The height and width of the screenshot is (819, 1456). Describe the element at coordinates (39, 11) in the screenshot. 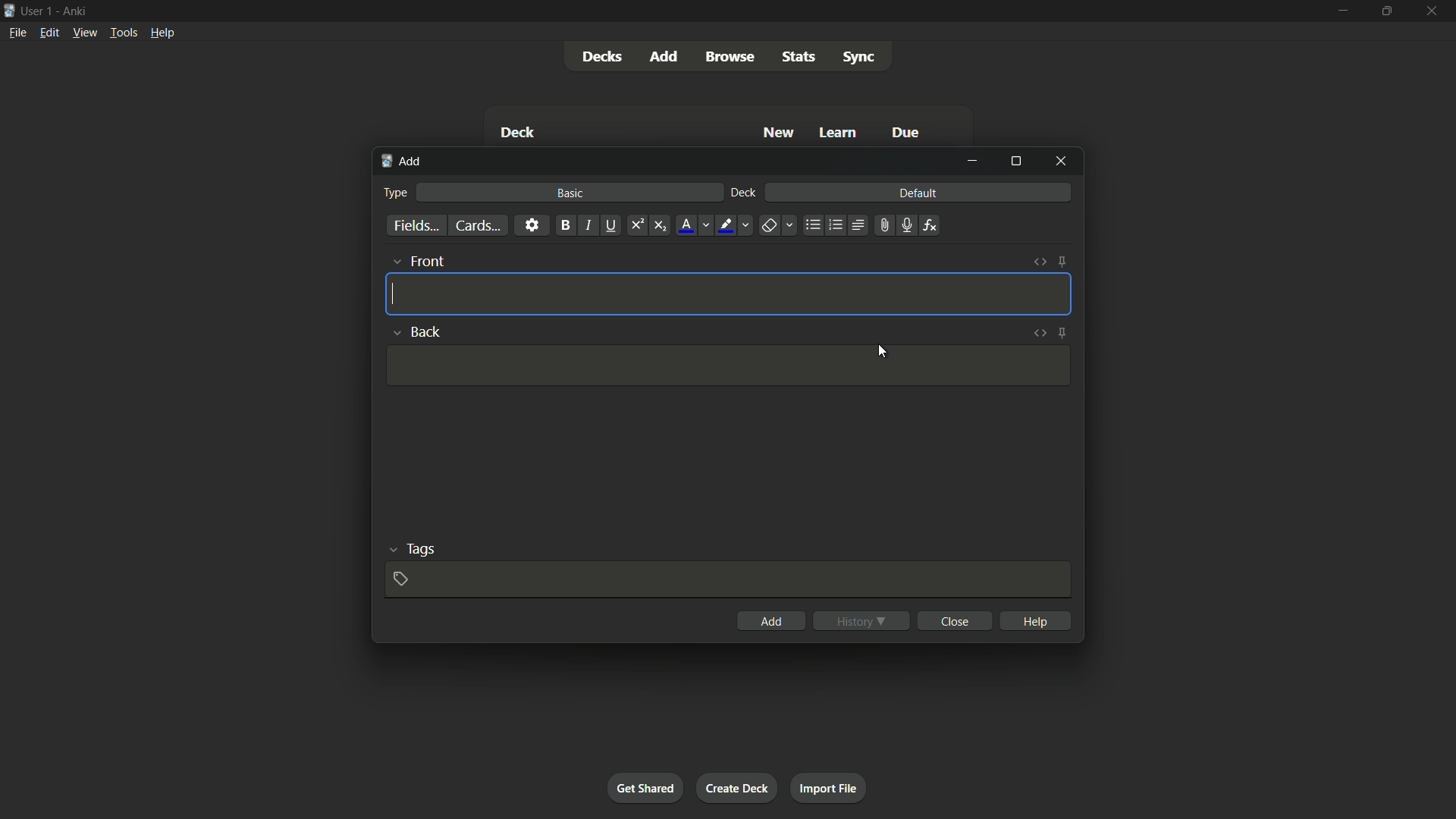

I see `user 1` at that location.